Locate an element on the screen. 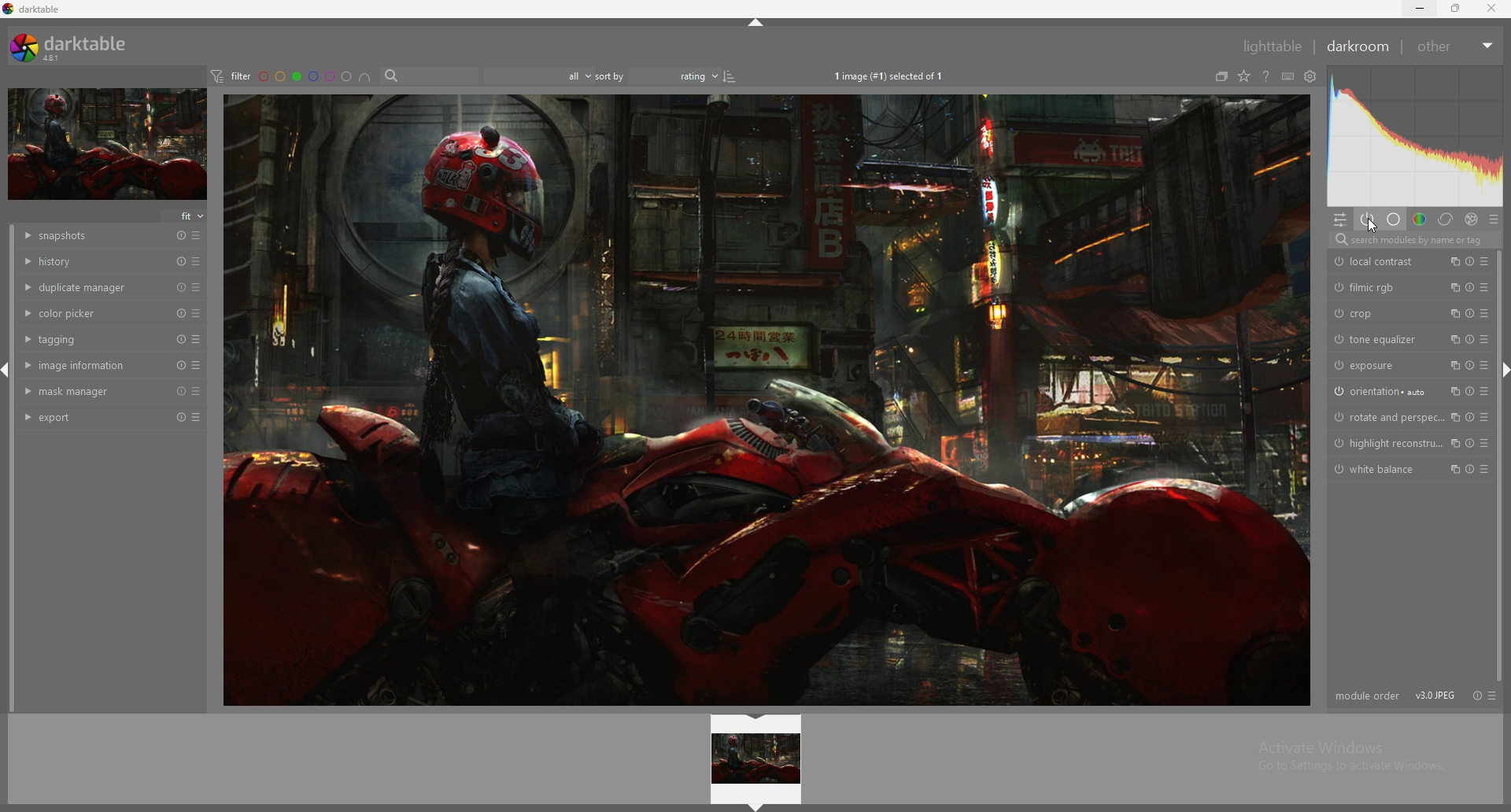 The height and width of the screenshot is (812, 1511).  is located at coordinates (2529, 124).